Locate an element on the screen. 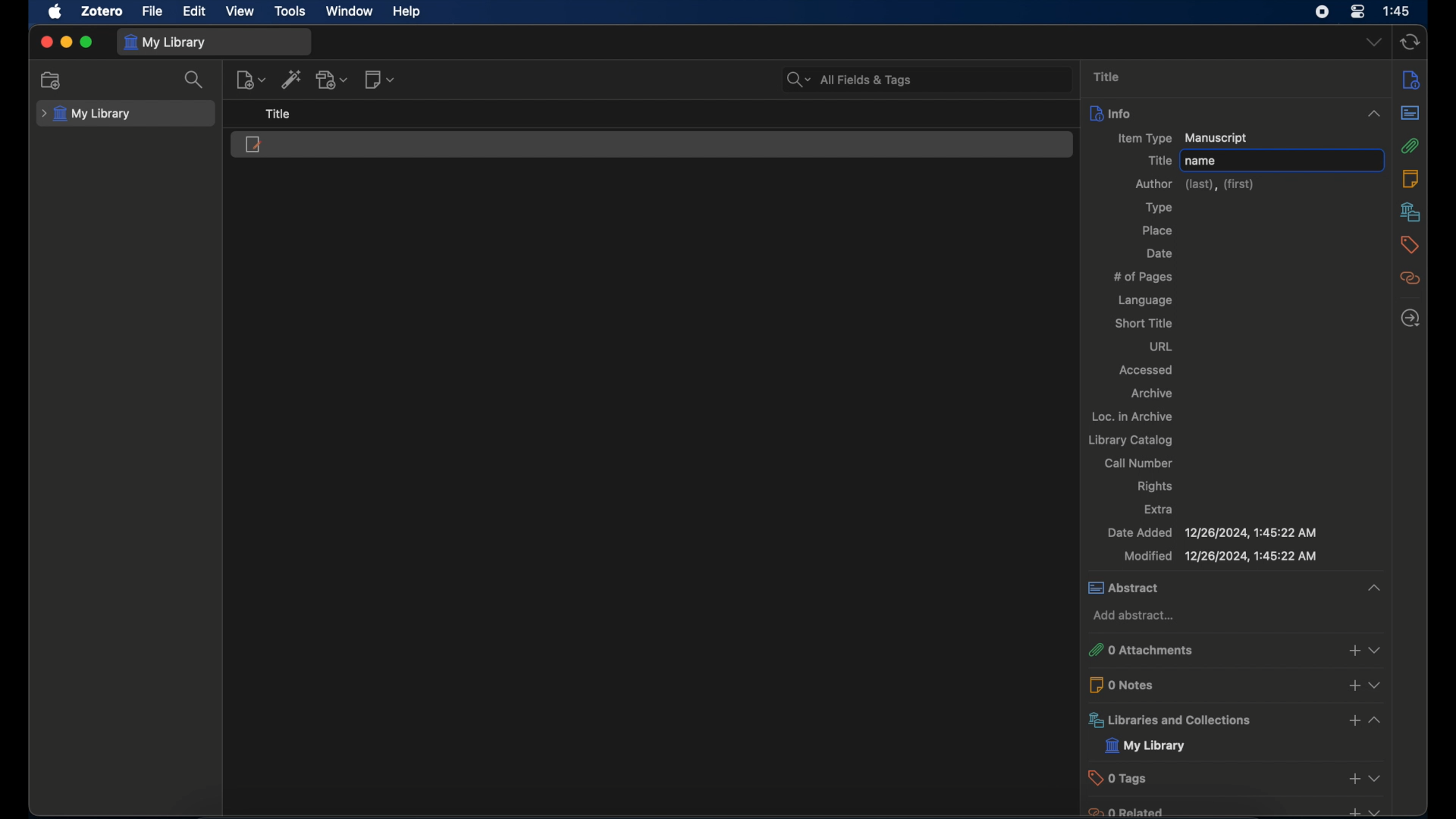 The height and width of the screenshot is (819, 1456). tools is located at coordinates (290, 12).